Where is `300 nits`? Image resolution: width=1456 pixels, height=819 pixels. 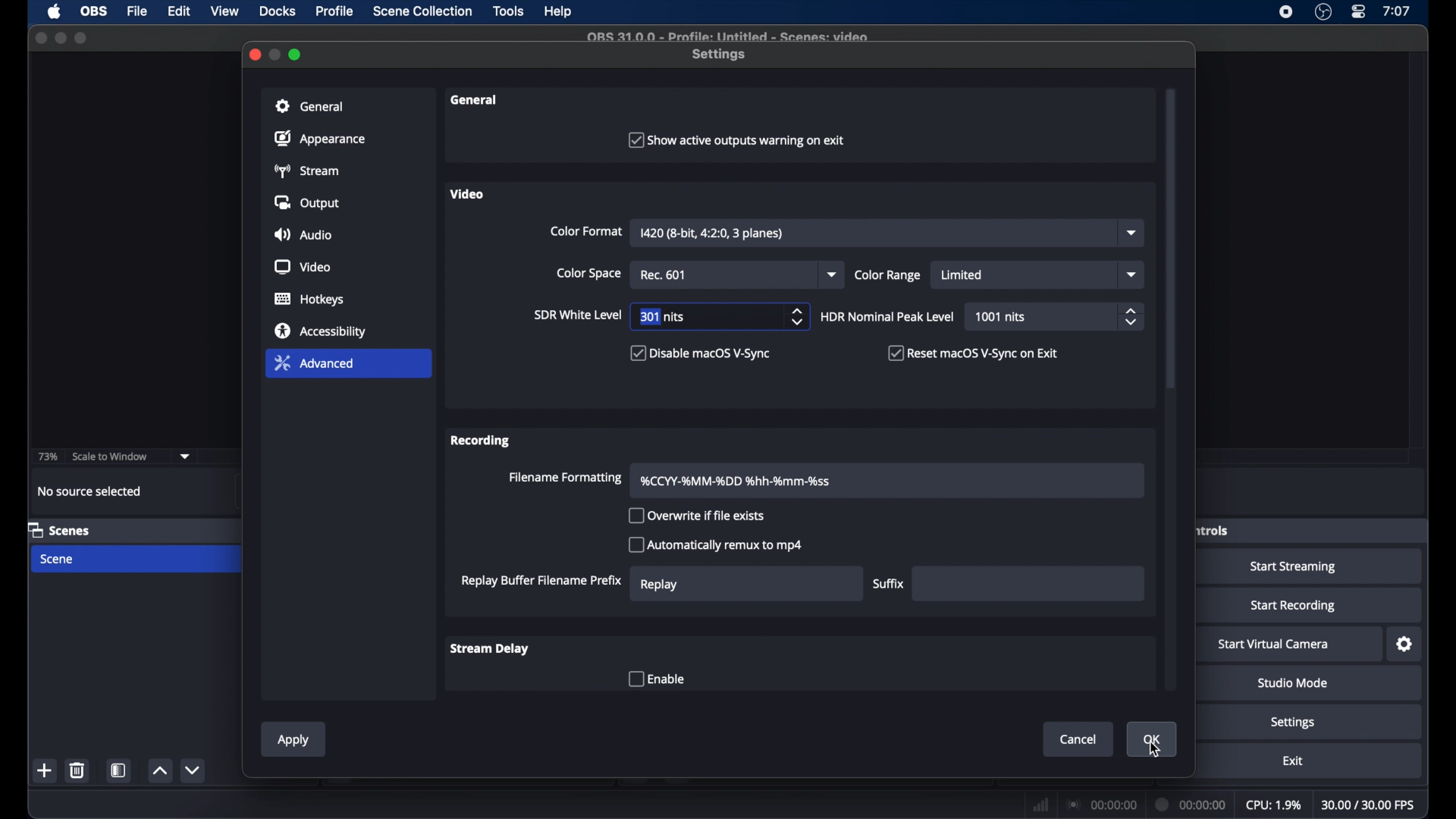 300 nits is located at coordinates (663, 316).